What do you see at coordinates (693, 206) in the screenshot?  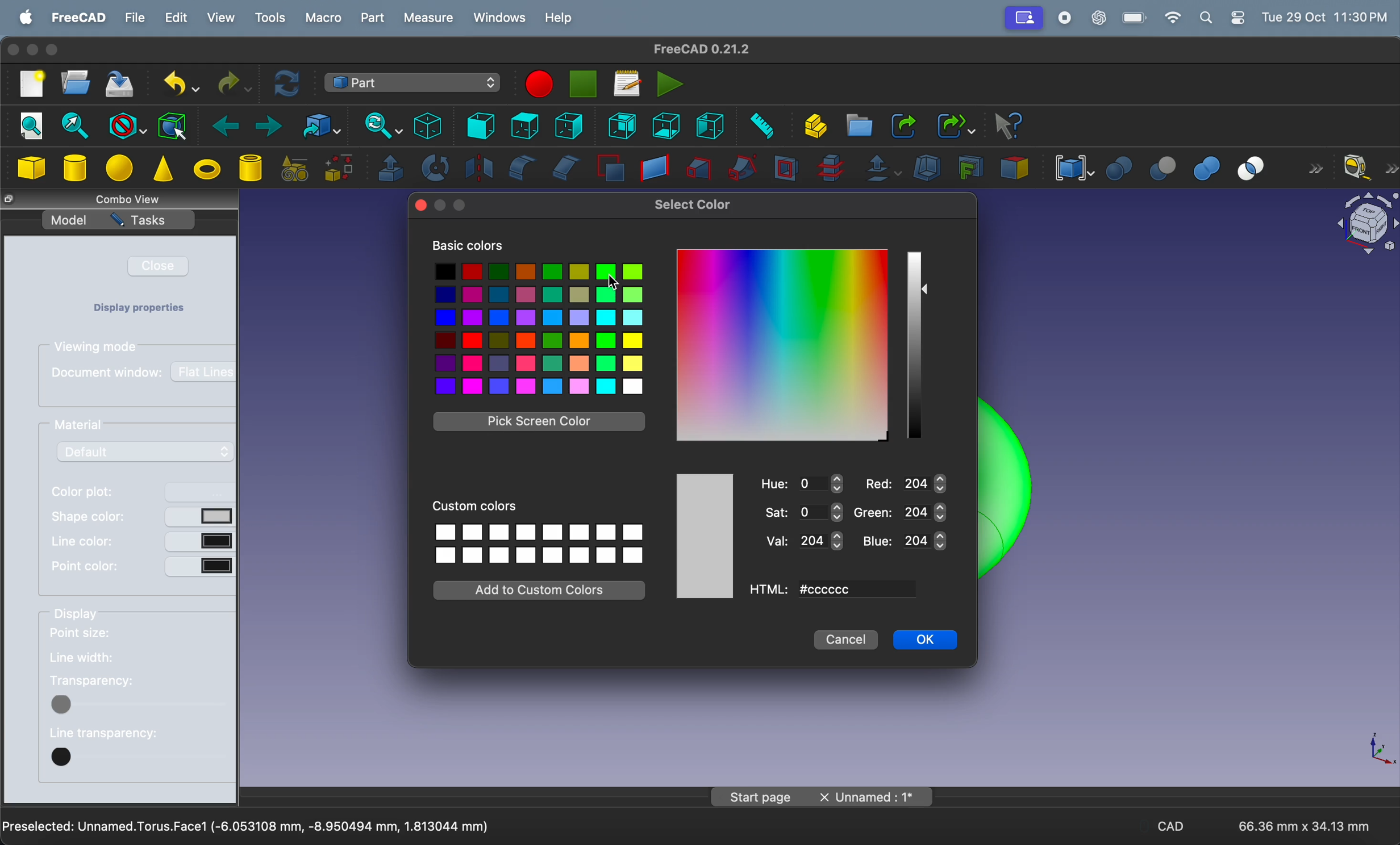 I see `Select color` at bounding box center [693, 206].